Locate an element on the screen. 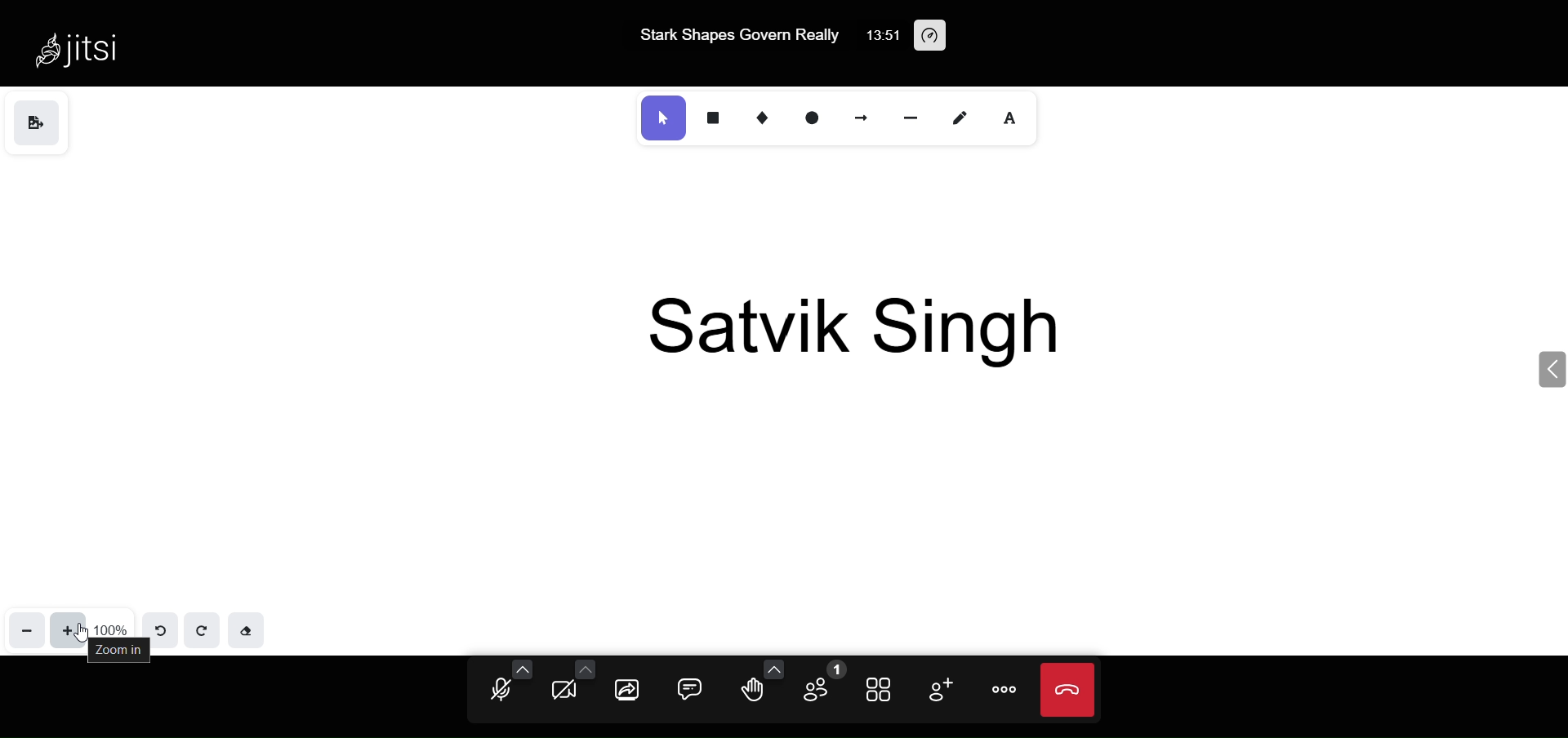 The width and height of the screenshot is (1568, 738). diamond is located at coordinates (760, 117).